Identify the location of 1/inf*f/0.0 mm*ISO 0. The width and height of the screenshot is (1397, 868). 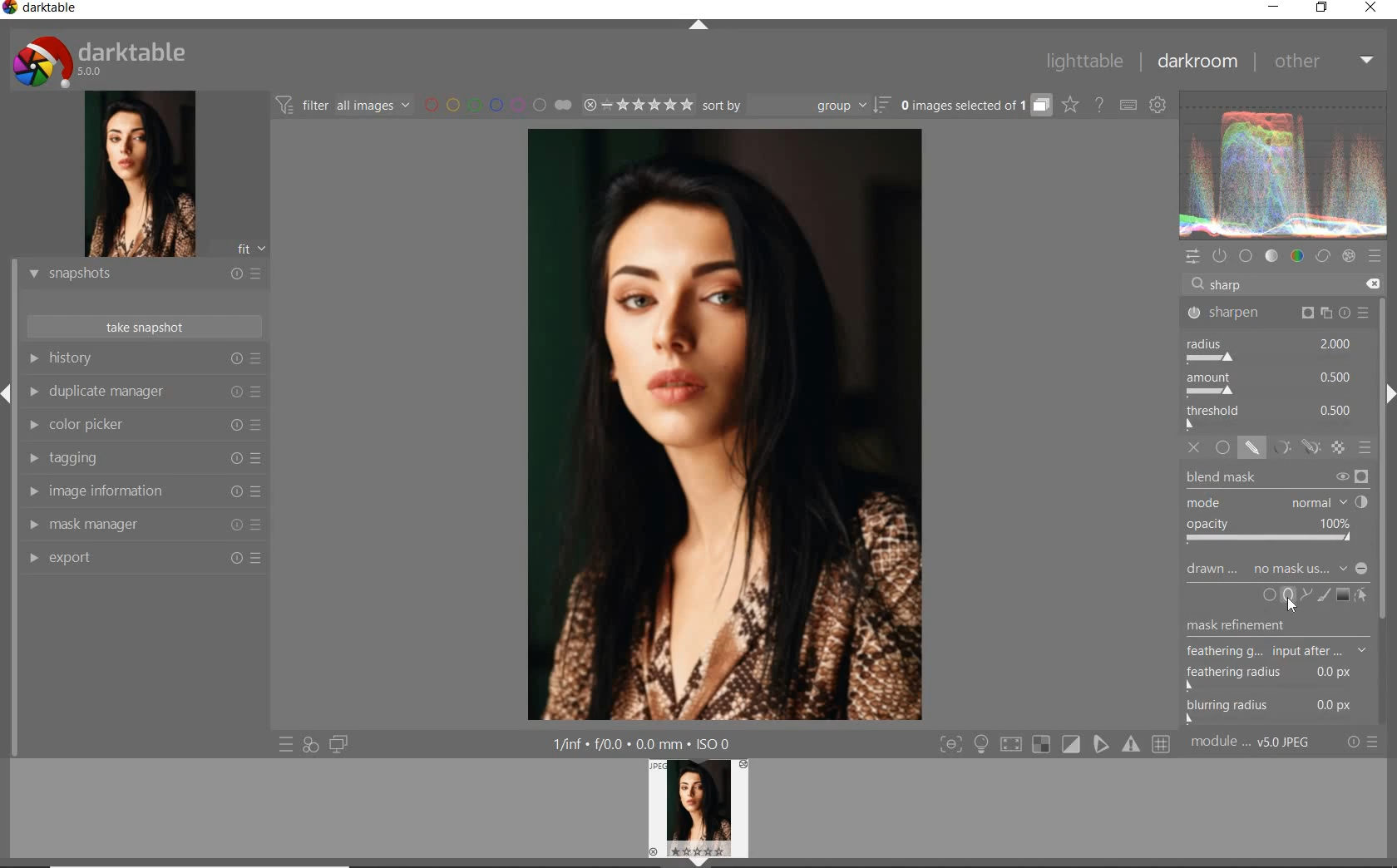
(644, 743).